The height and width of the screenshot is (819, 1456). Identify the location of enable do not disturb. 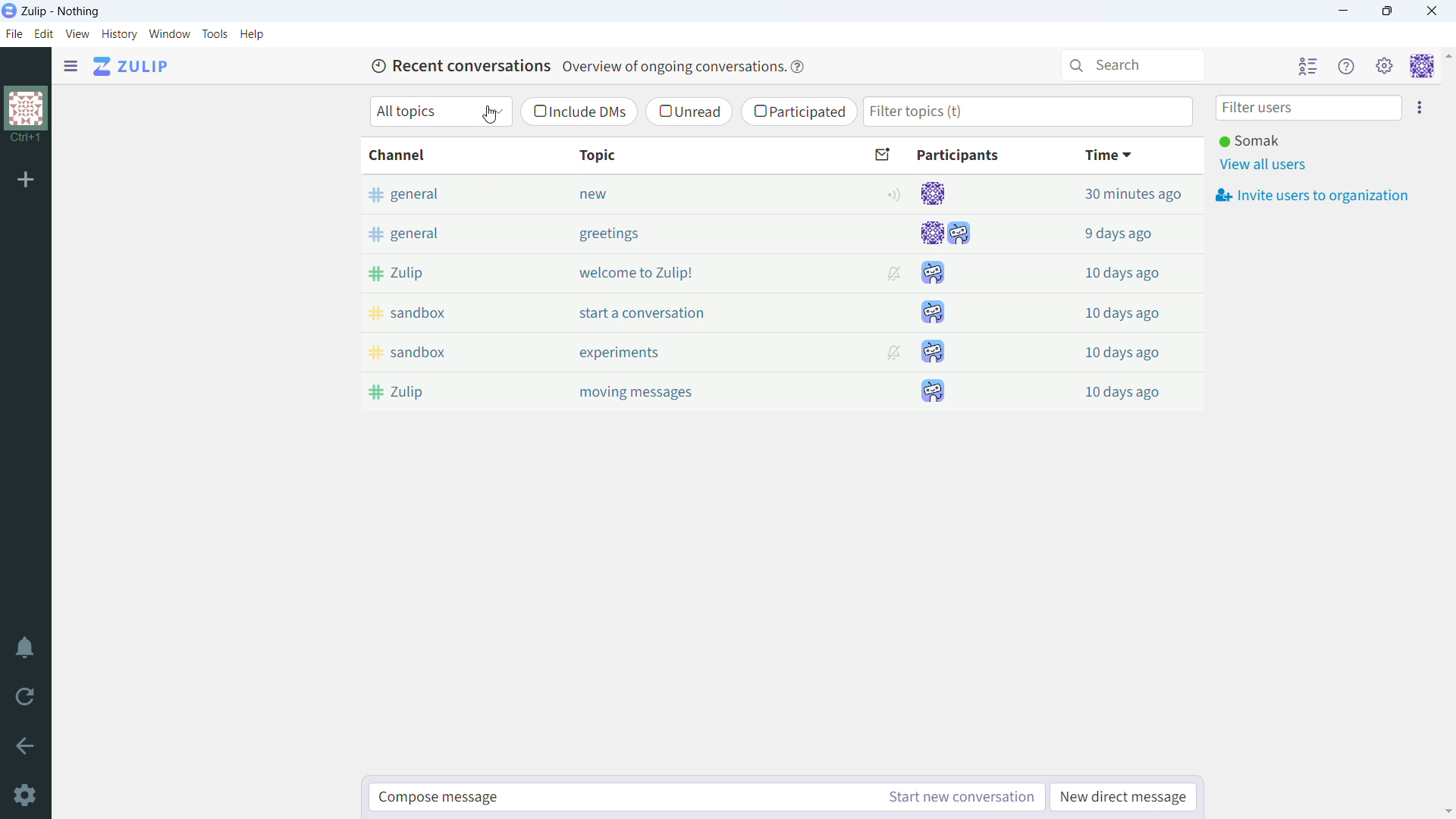
(27, 648).